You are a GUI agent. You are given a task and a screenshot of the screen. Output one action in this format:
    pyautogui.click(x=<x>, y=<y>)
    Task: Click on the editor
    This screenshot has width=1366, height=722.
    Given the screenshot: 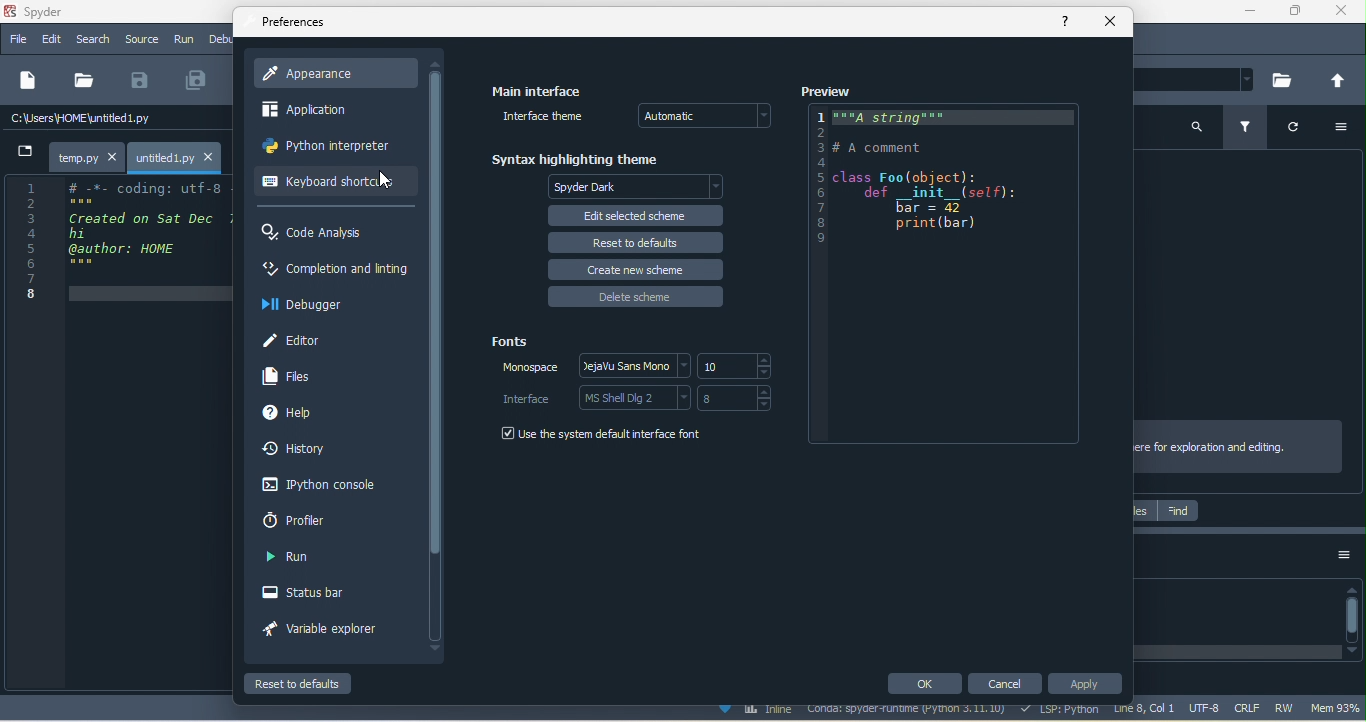 What is the action you would take?
    pyautogui.click(x=298, y=340)
    